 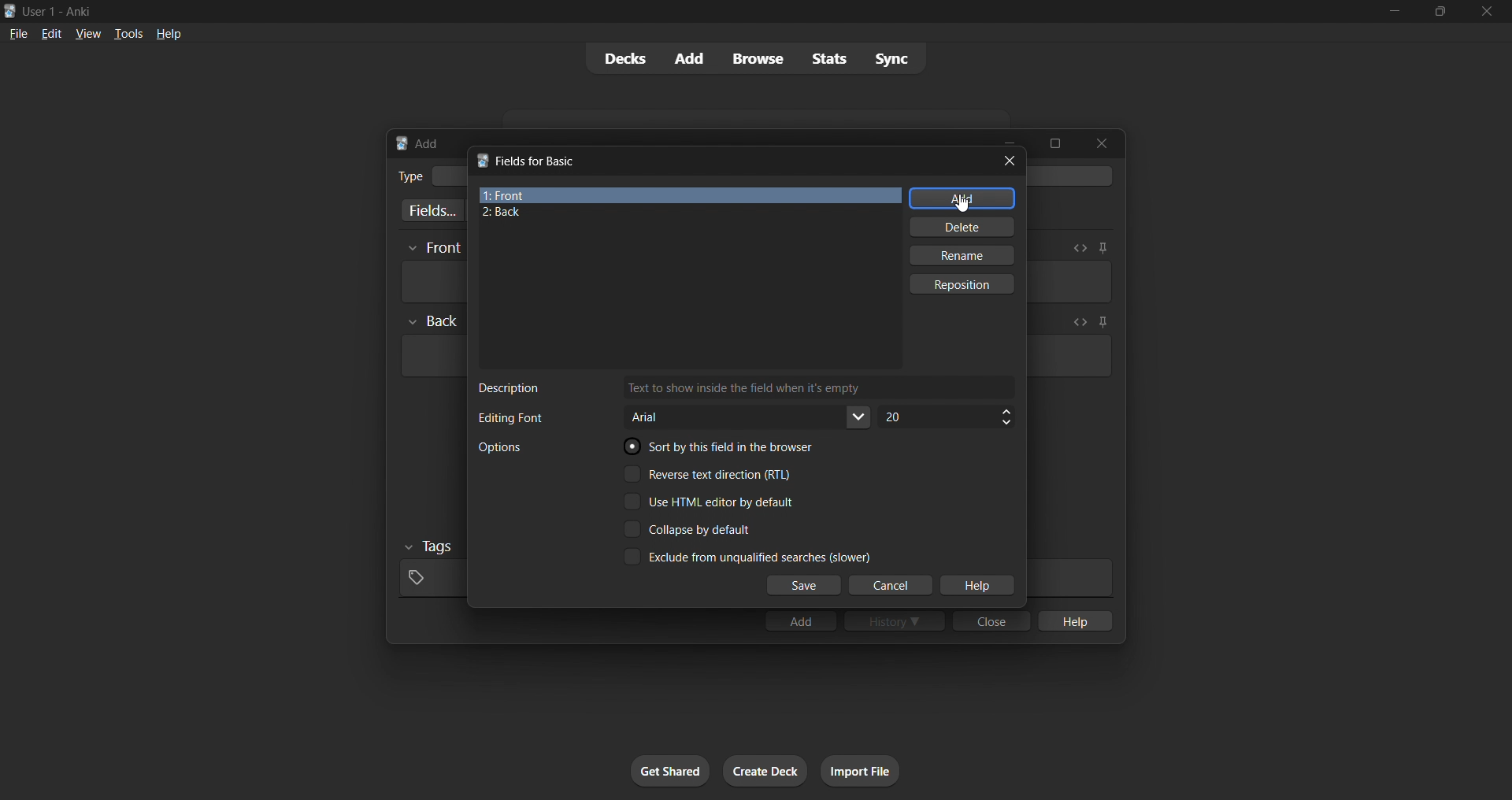 I want to click on help, so click(x=169, y=34).